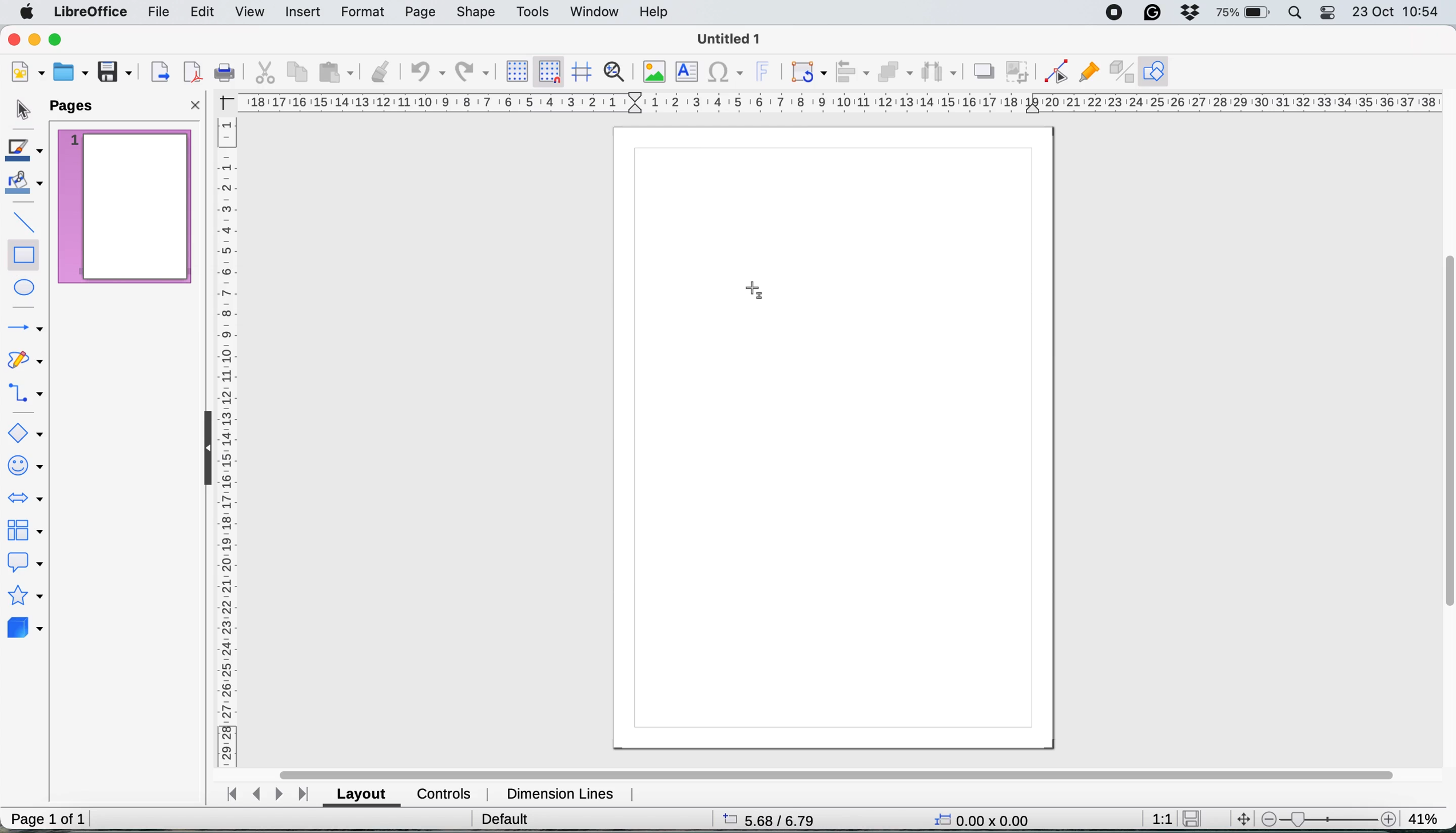 The image size is (1456, 833). What do you see at coordinates (303, 12) in the screenshot?
I see `insert` at bounding box center [303, 12].